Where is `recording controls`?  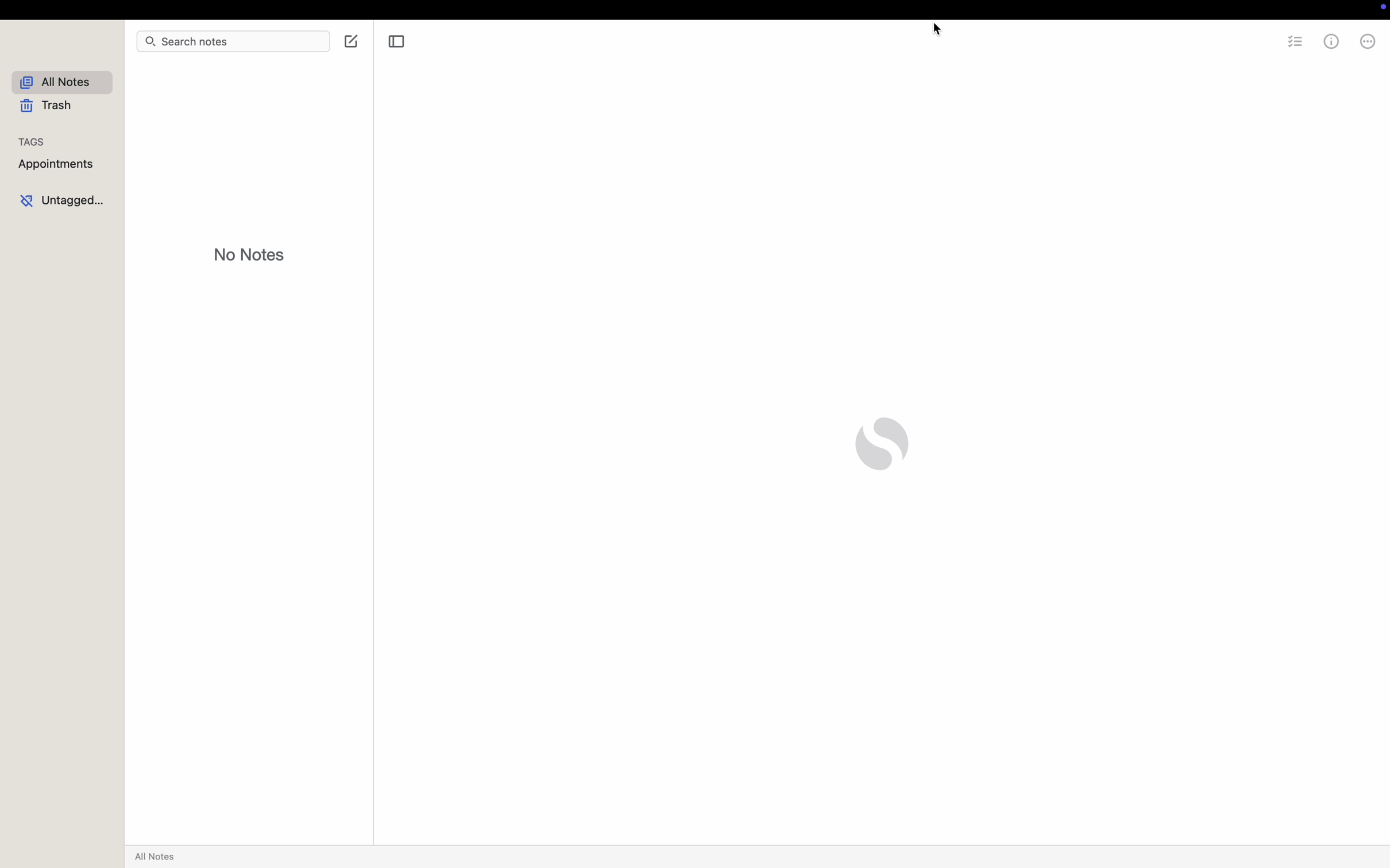
recording controls is located at coordinates (1379, 8).